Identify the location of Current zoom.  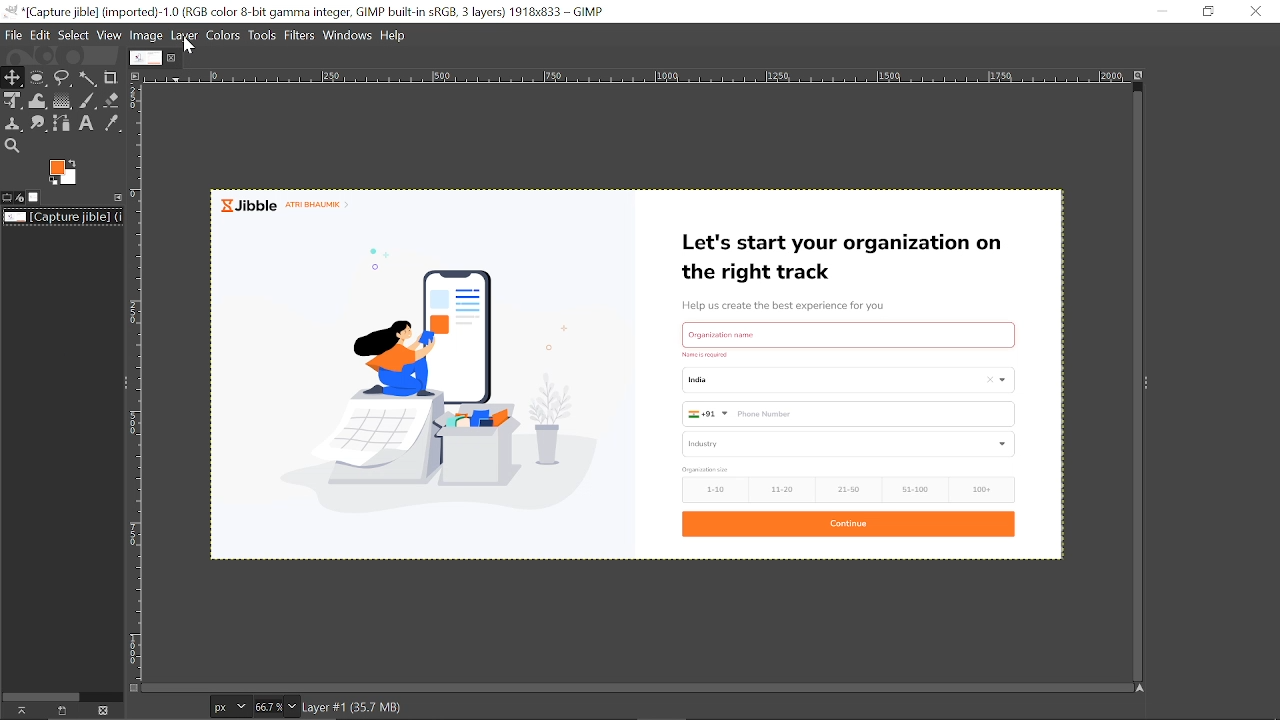
(266, 706).